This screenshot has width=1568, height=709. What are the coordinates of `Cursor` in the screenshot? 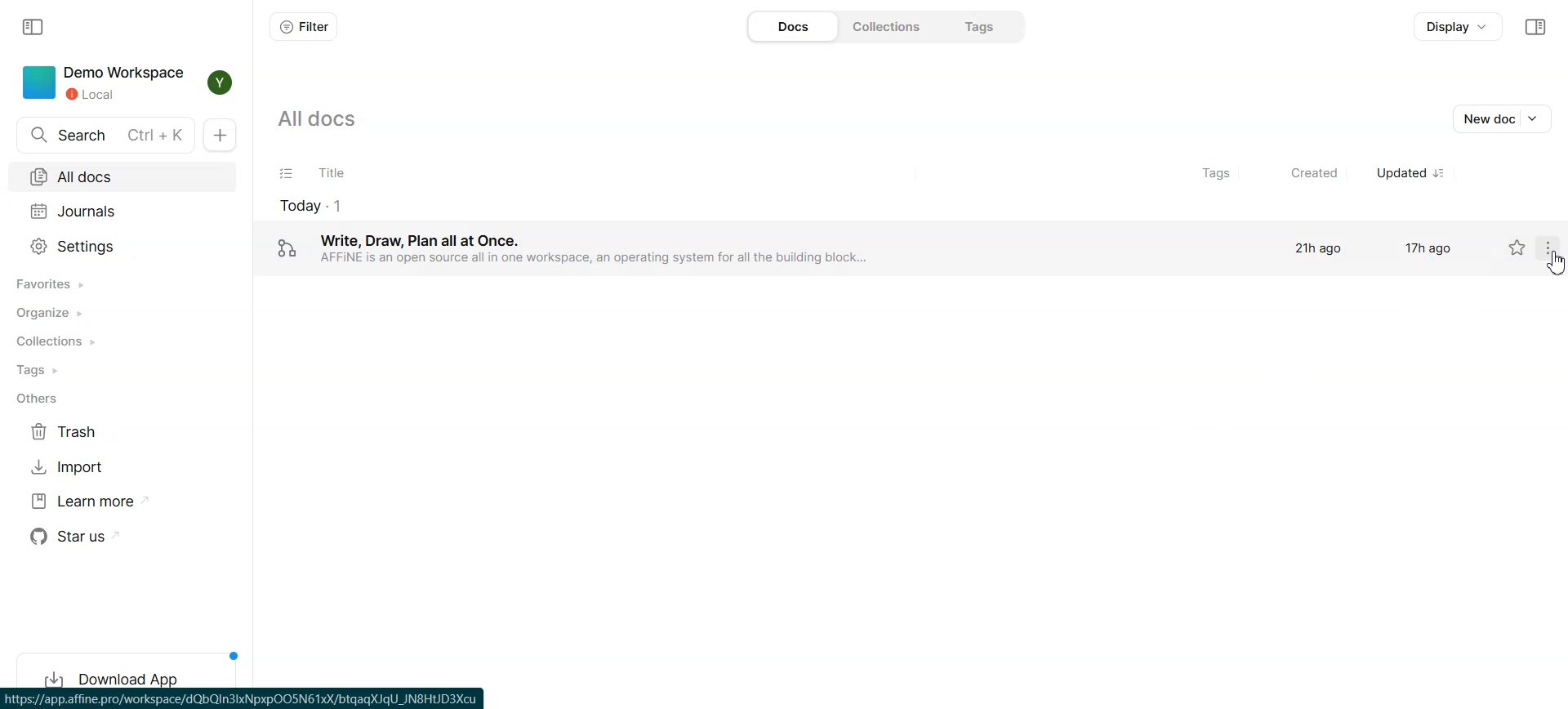 It's located at (1555, 263).